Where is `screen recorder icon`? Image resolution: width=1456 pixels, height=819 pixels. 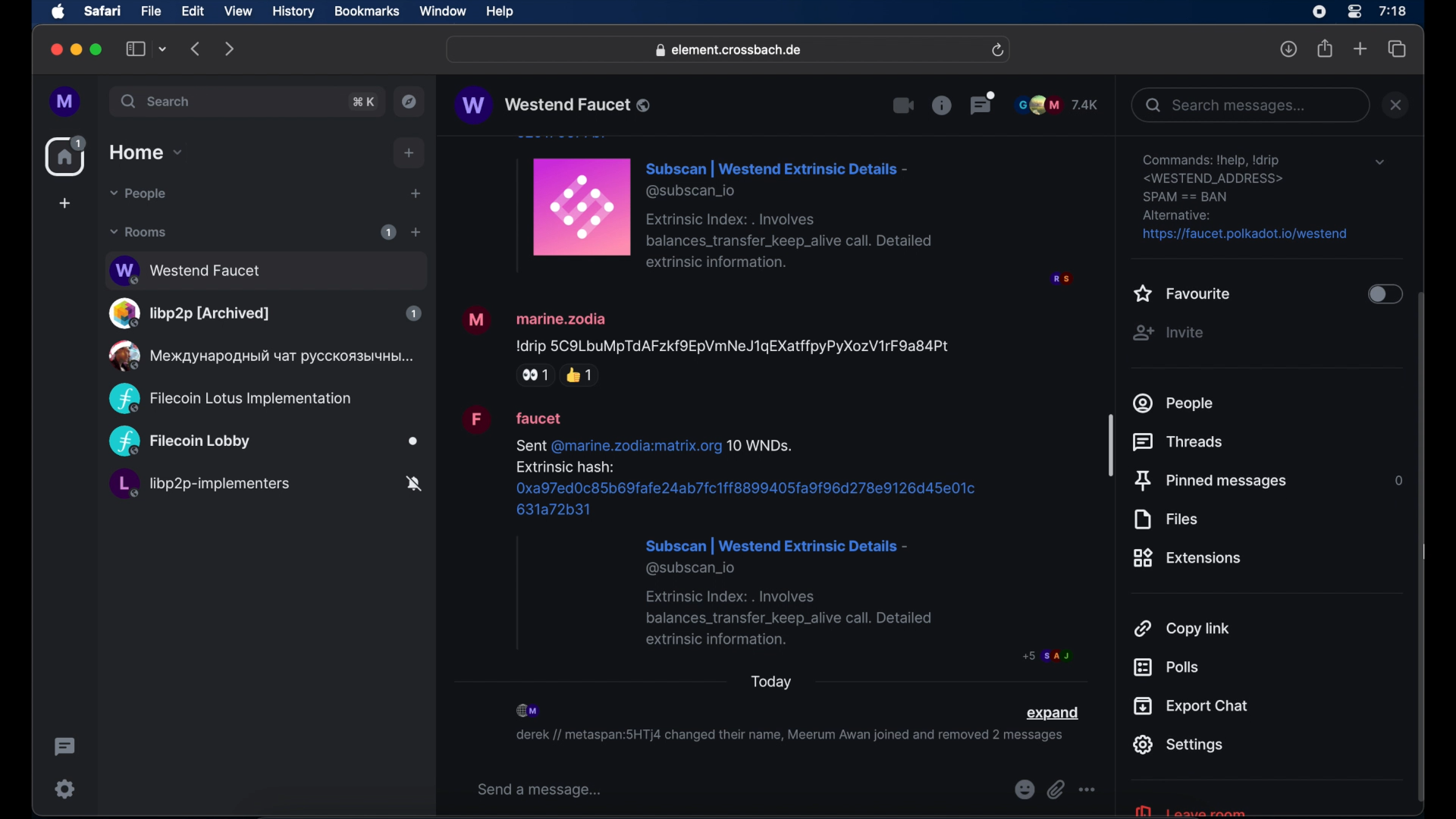 screen recorder icon is located at coordinates (1319, 12).